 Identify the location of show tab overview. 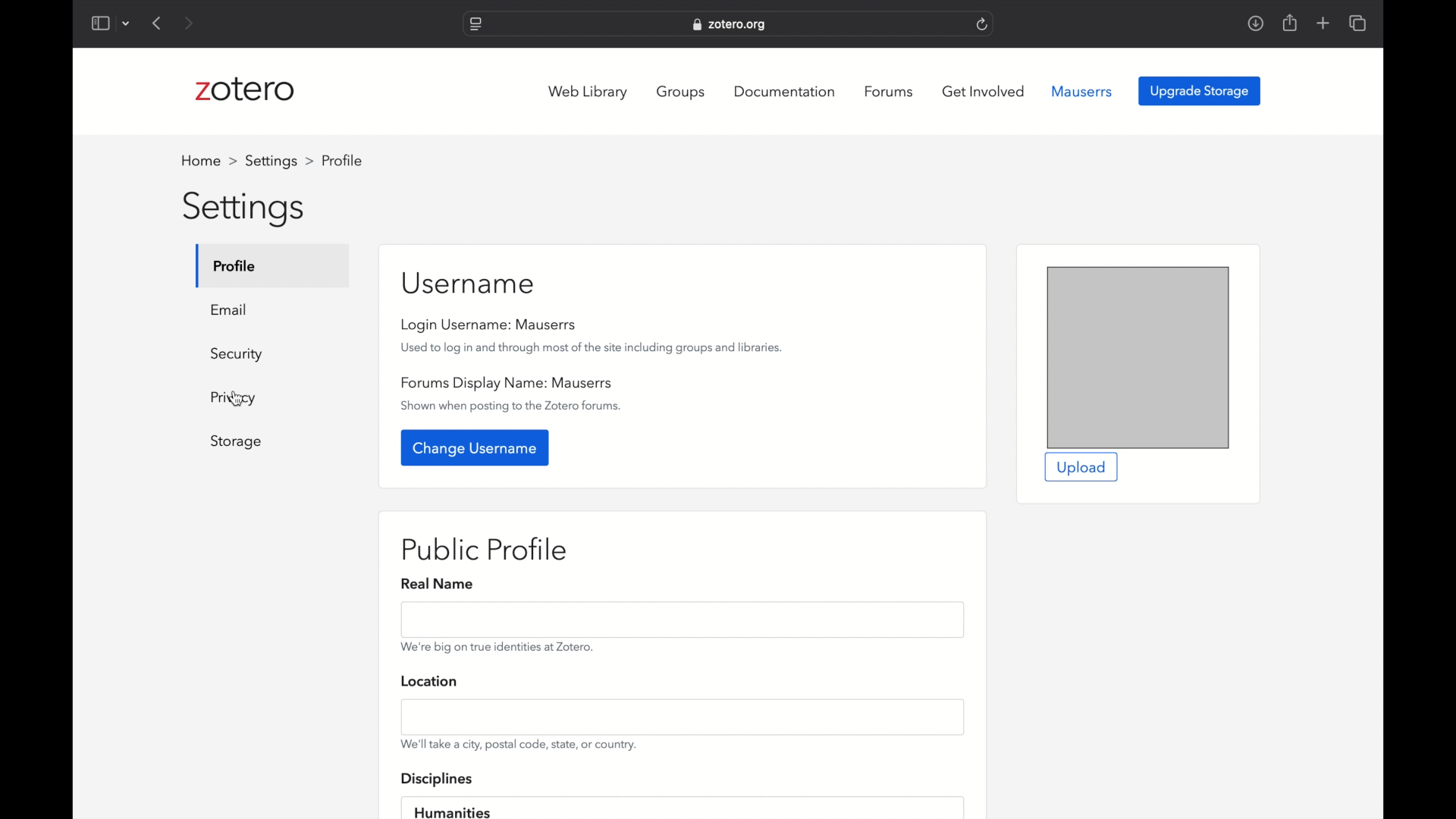
(1357, 23).